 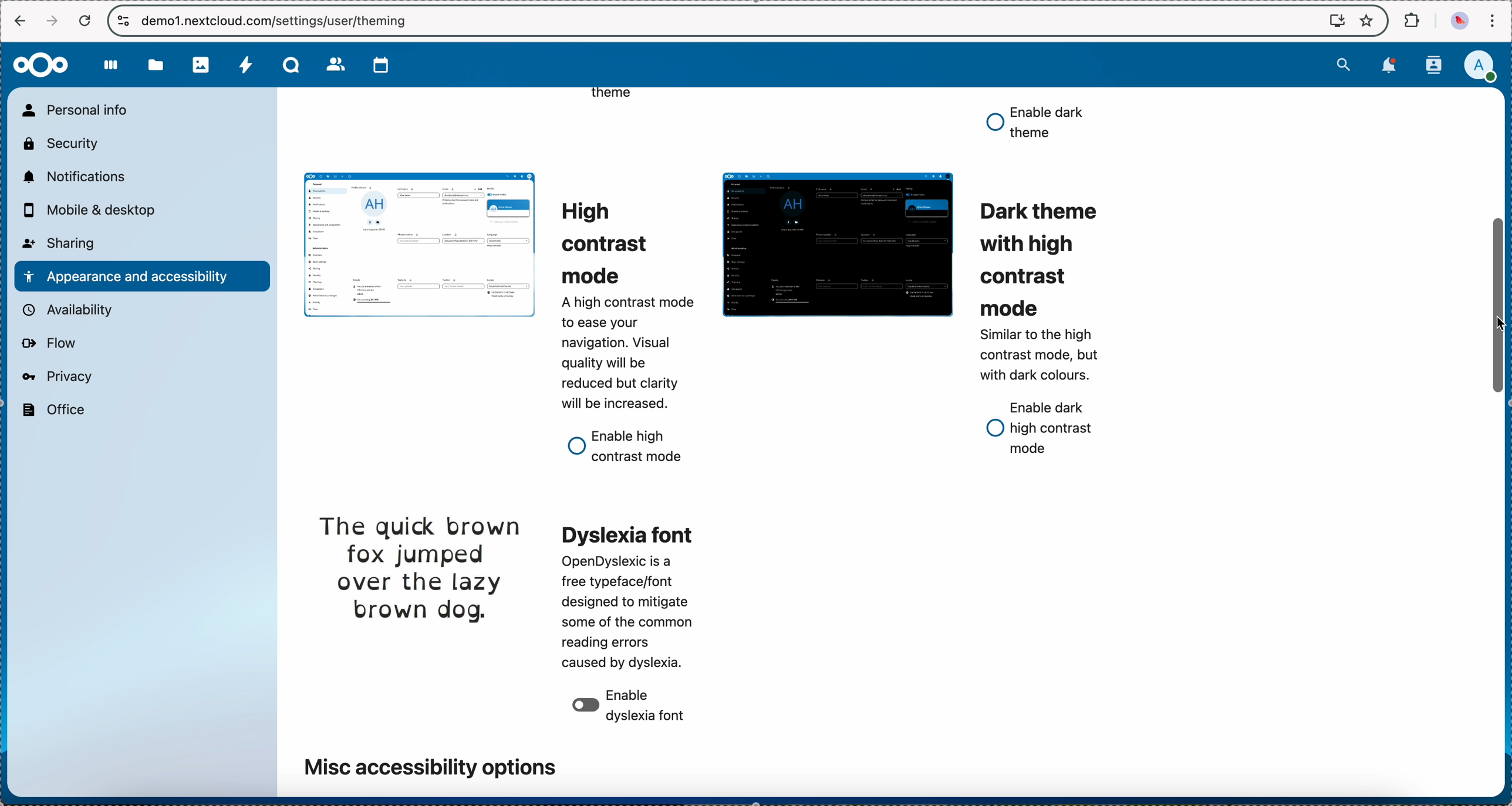 I want to click on description, so click(x=626, y=353).